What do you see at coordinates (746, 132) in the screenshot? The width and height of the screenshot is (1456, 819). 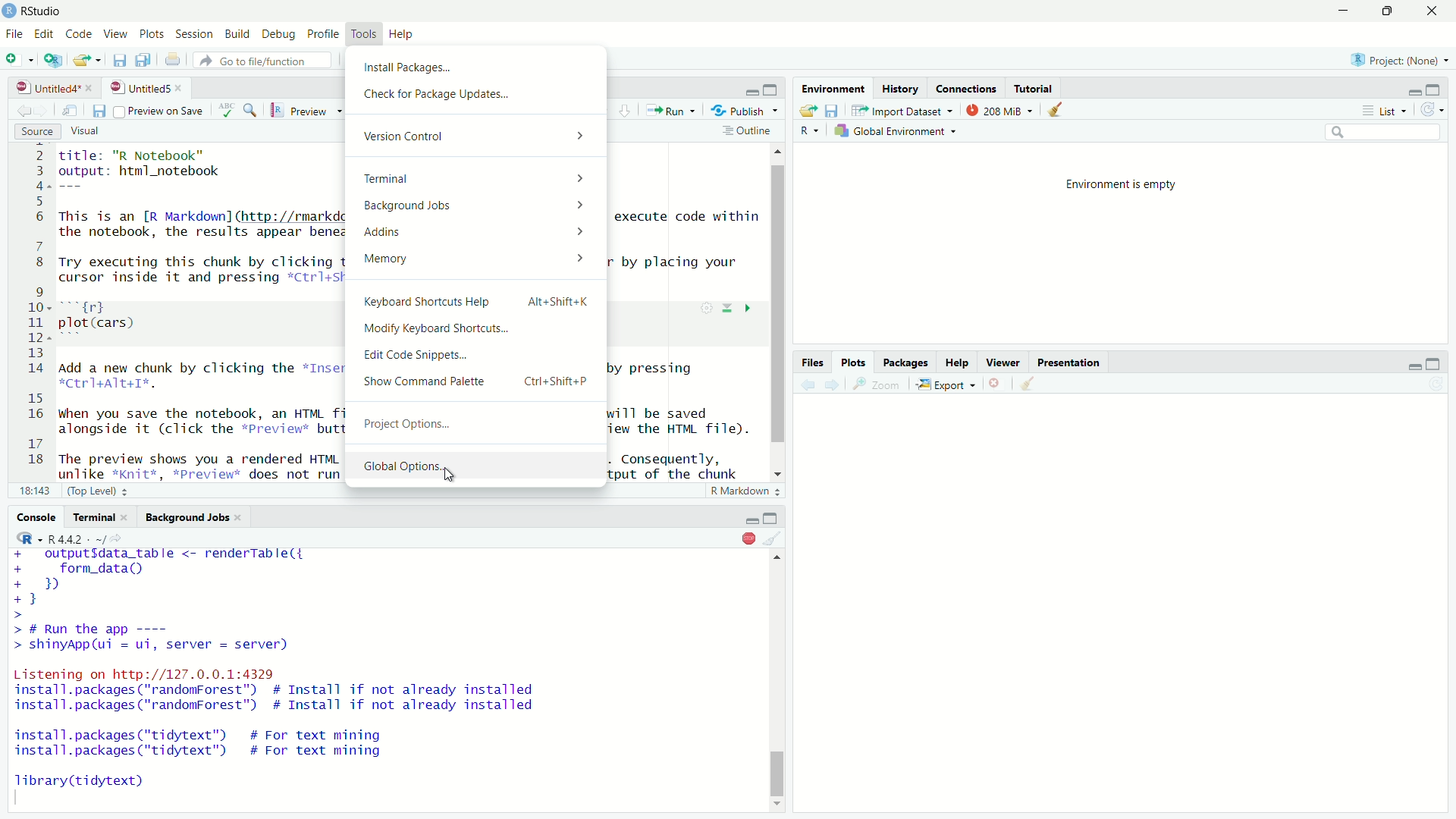 I see `Outline` at bounding box center [746, 132].